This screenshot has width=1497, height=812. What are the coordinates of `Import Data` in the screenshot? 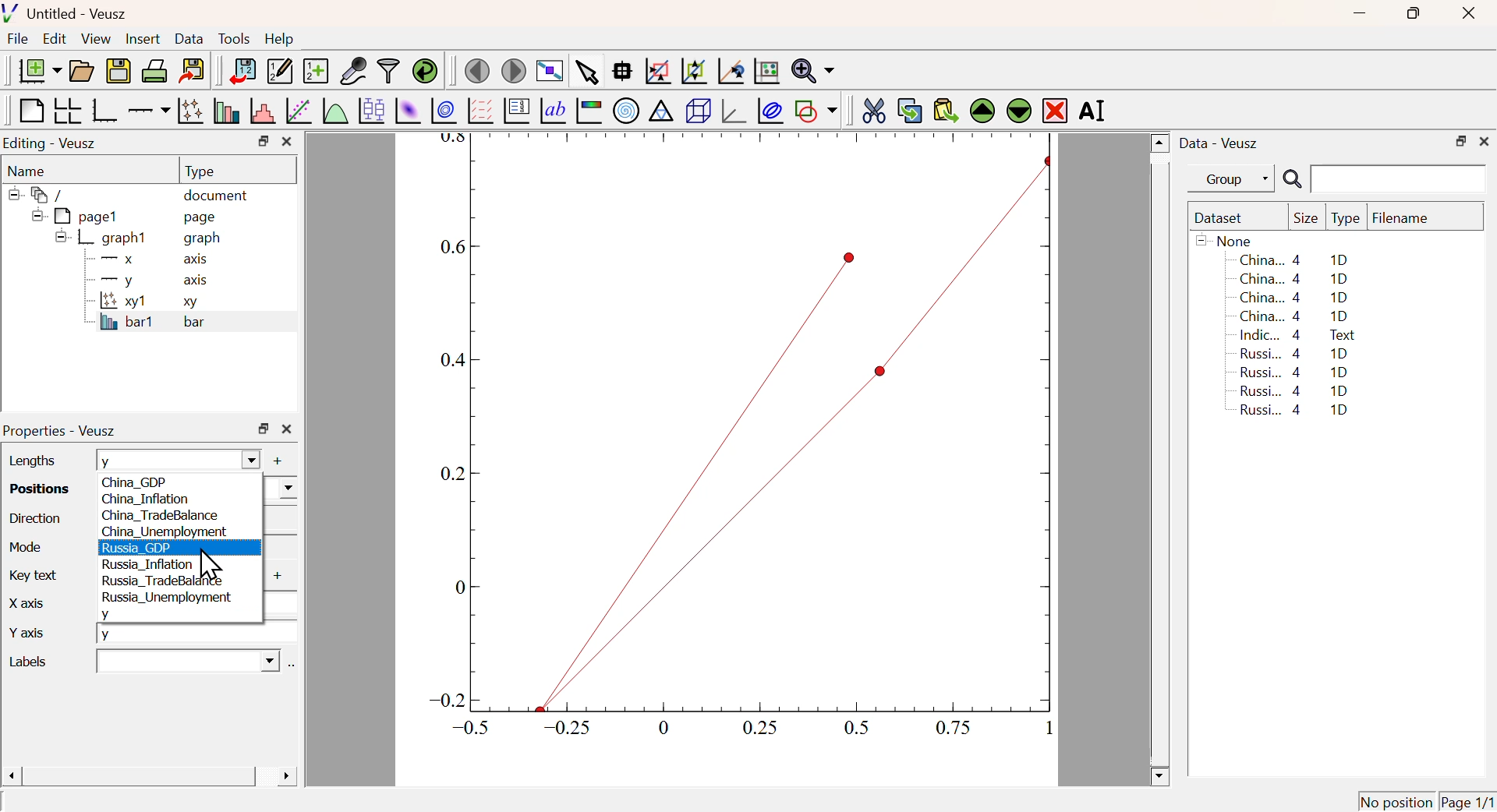 It's located at (242, 71).